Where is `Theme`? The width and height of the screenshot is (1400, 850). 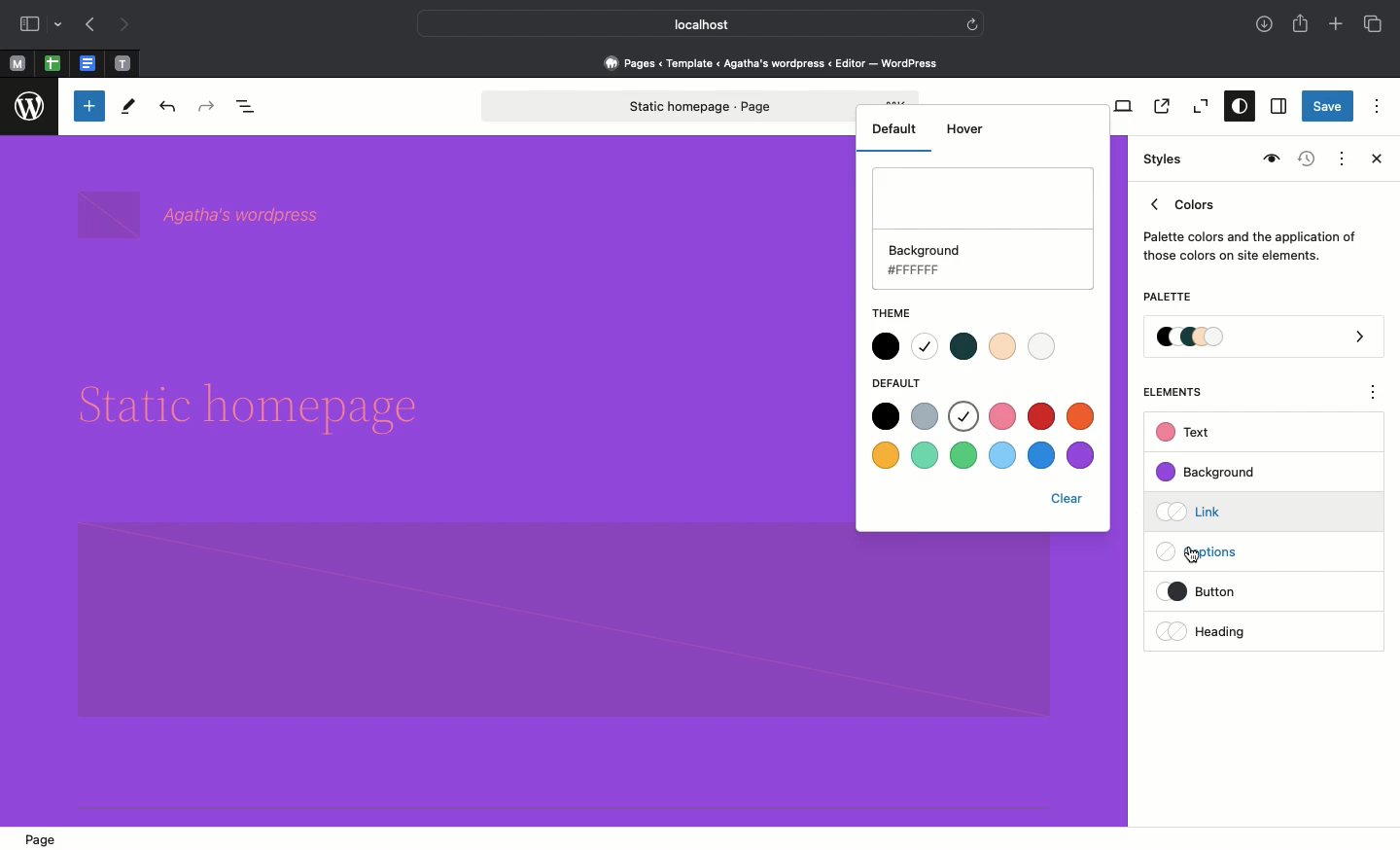
Theme is located at coordinates (902, 311).